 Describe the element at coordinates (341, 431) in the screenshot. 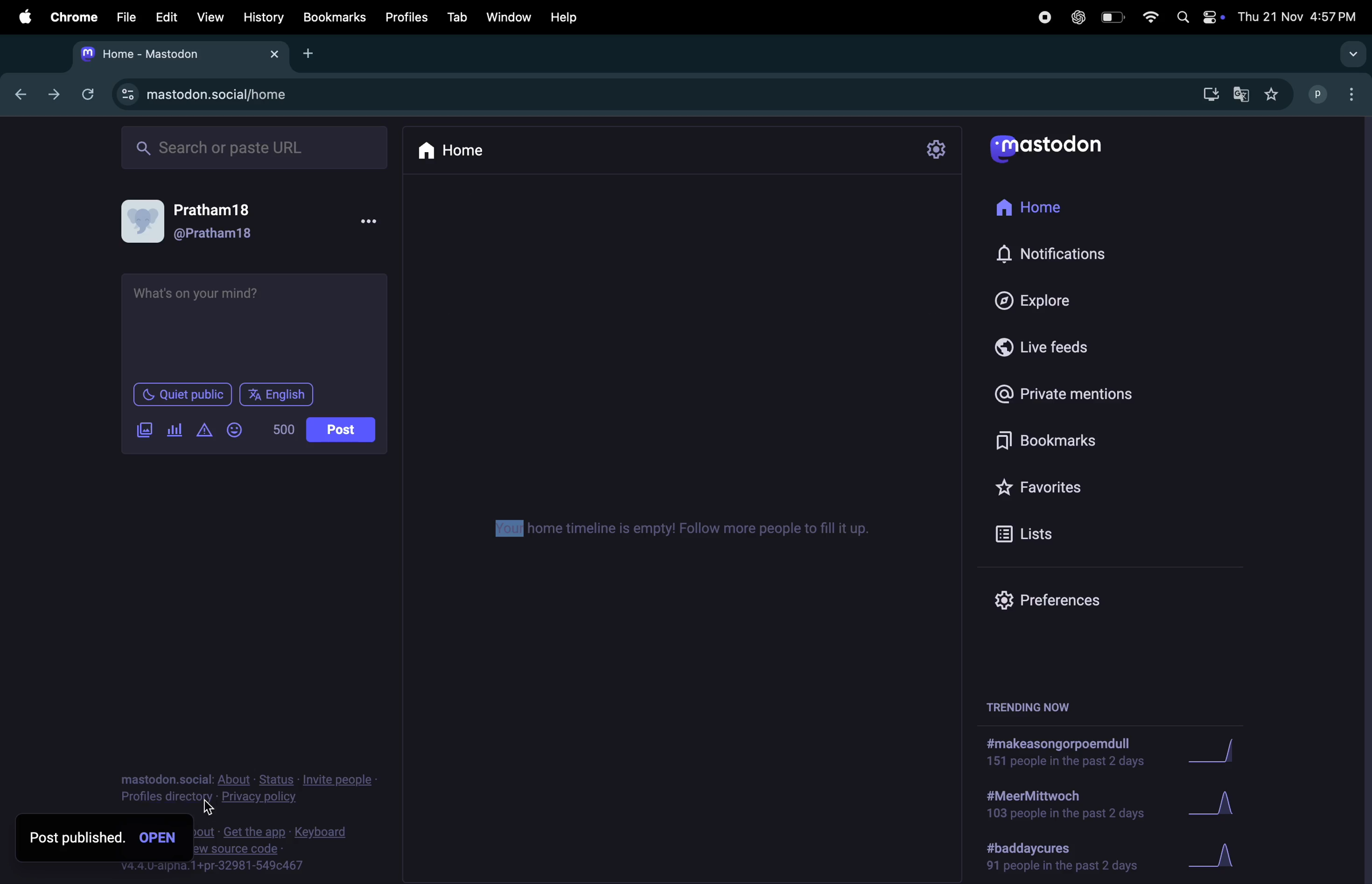

I see `post` at that location.